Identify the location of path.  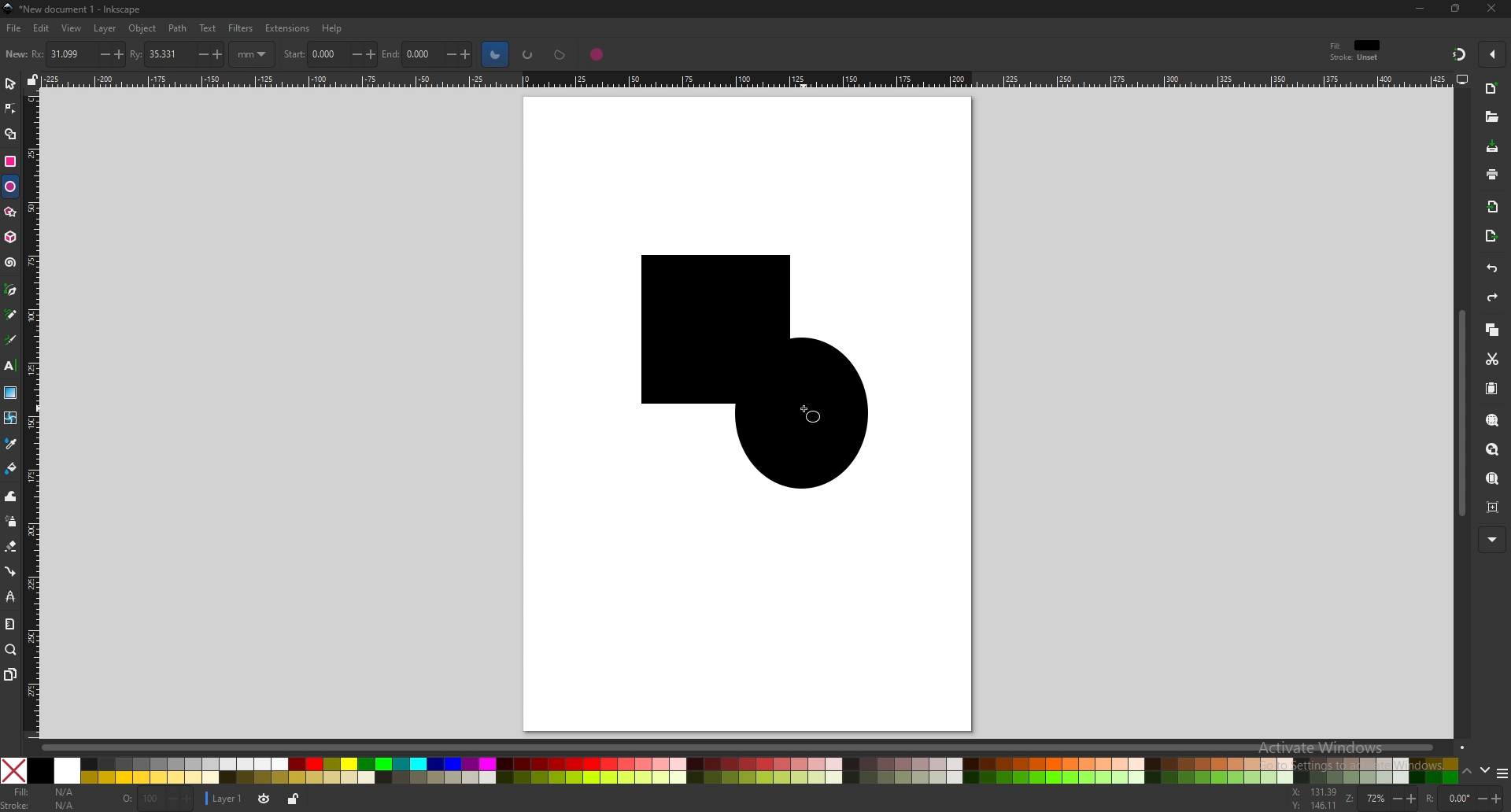
(179, 28).